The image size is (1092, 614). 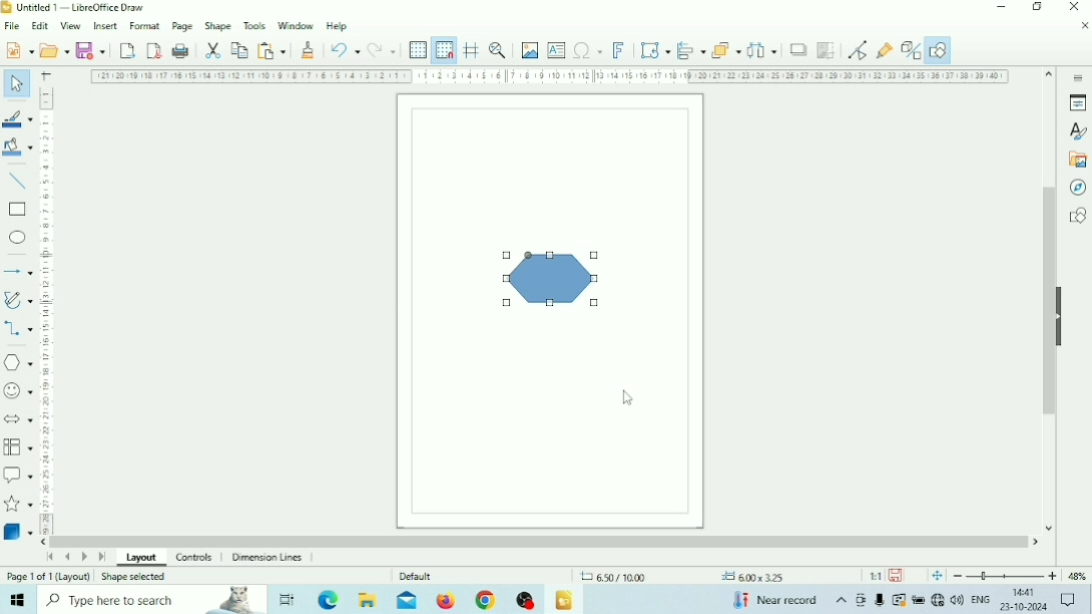 I want to click on View, so click(x=72, y=27).